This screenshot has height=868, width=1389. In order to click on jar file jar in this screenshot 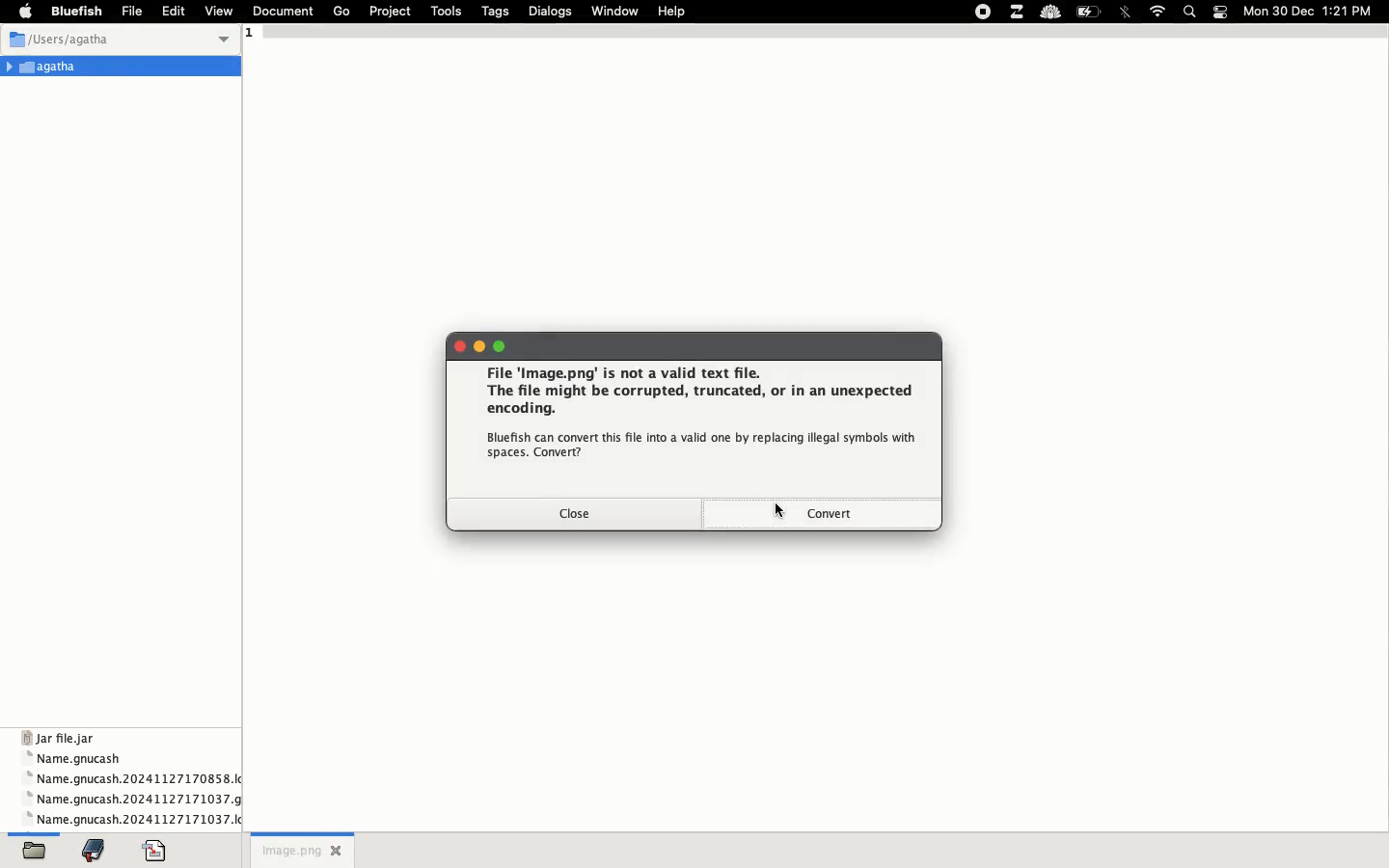, I will do `click(59, 736)`.